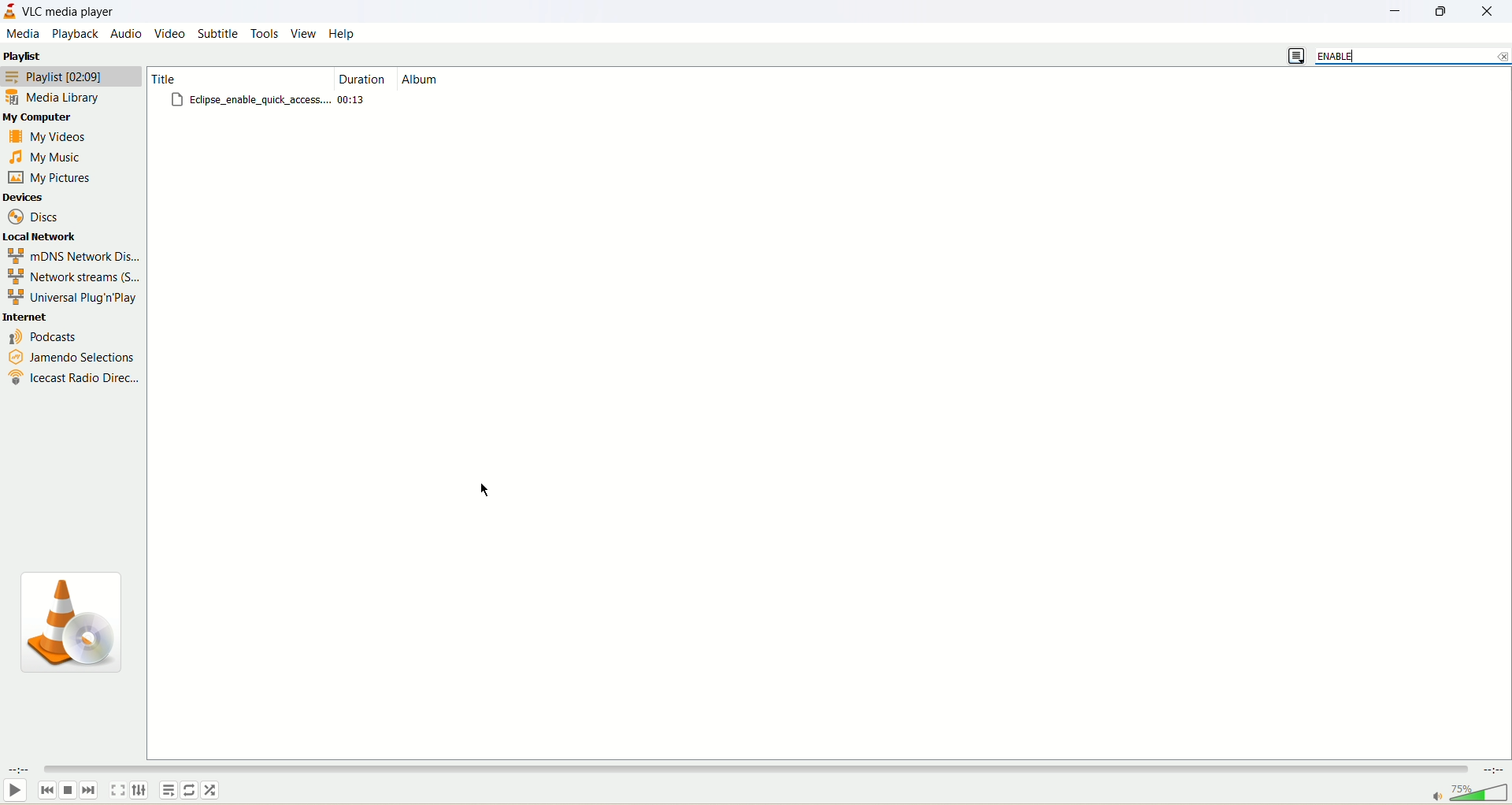 This screenshot has height=805, width=1512. I want to click on playlist, so click(169, 791).